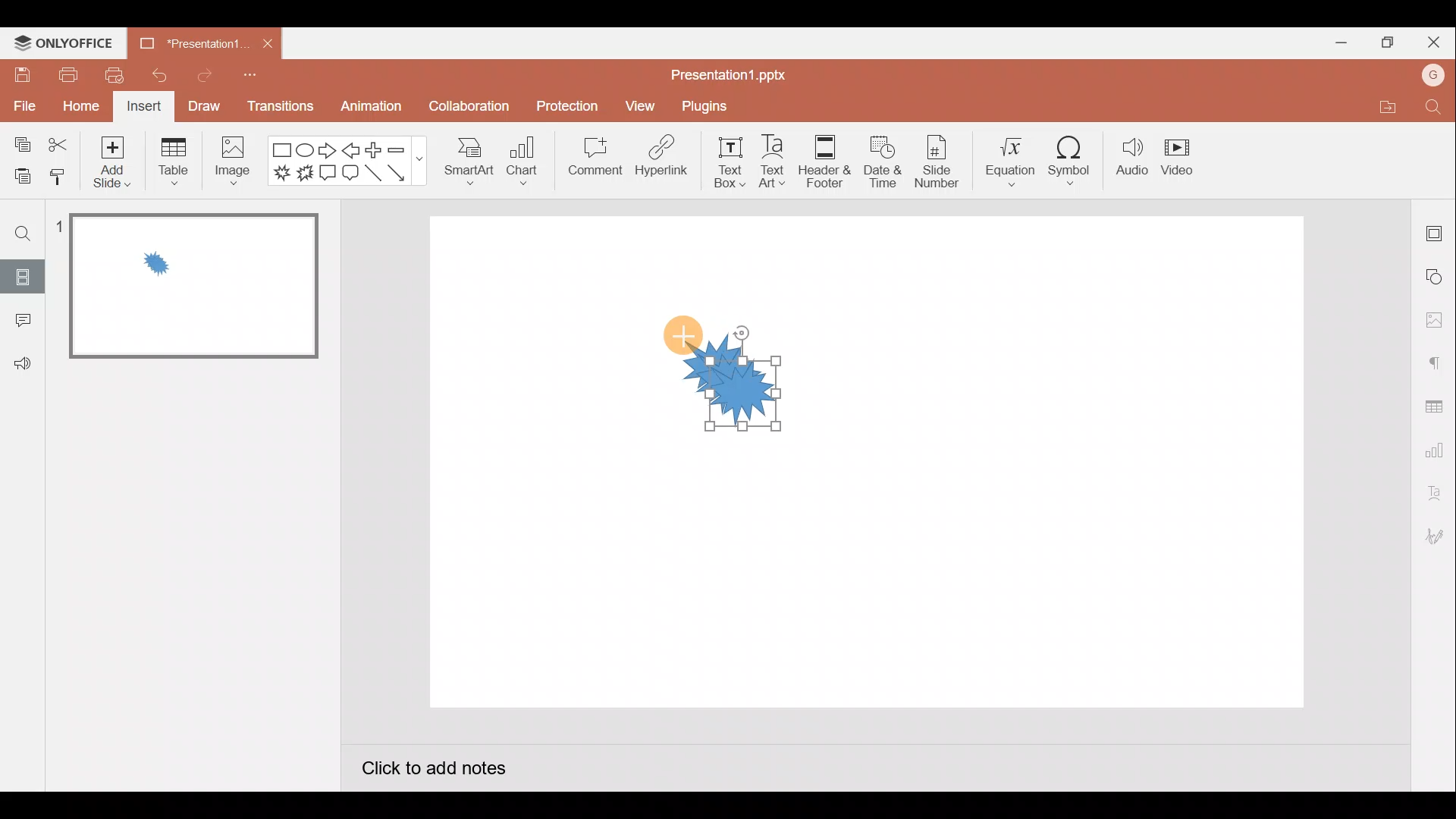  I want to click on Paragraph settings, so click(1436, 359).